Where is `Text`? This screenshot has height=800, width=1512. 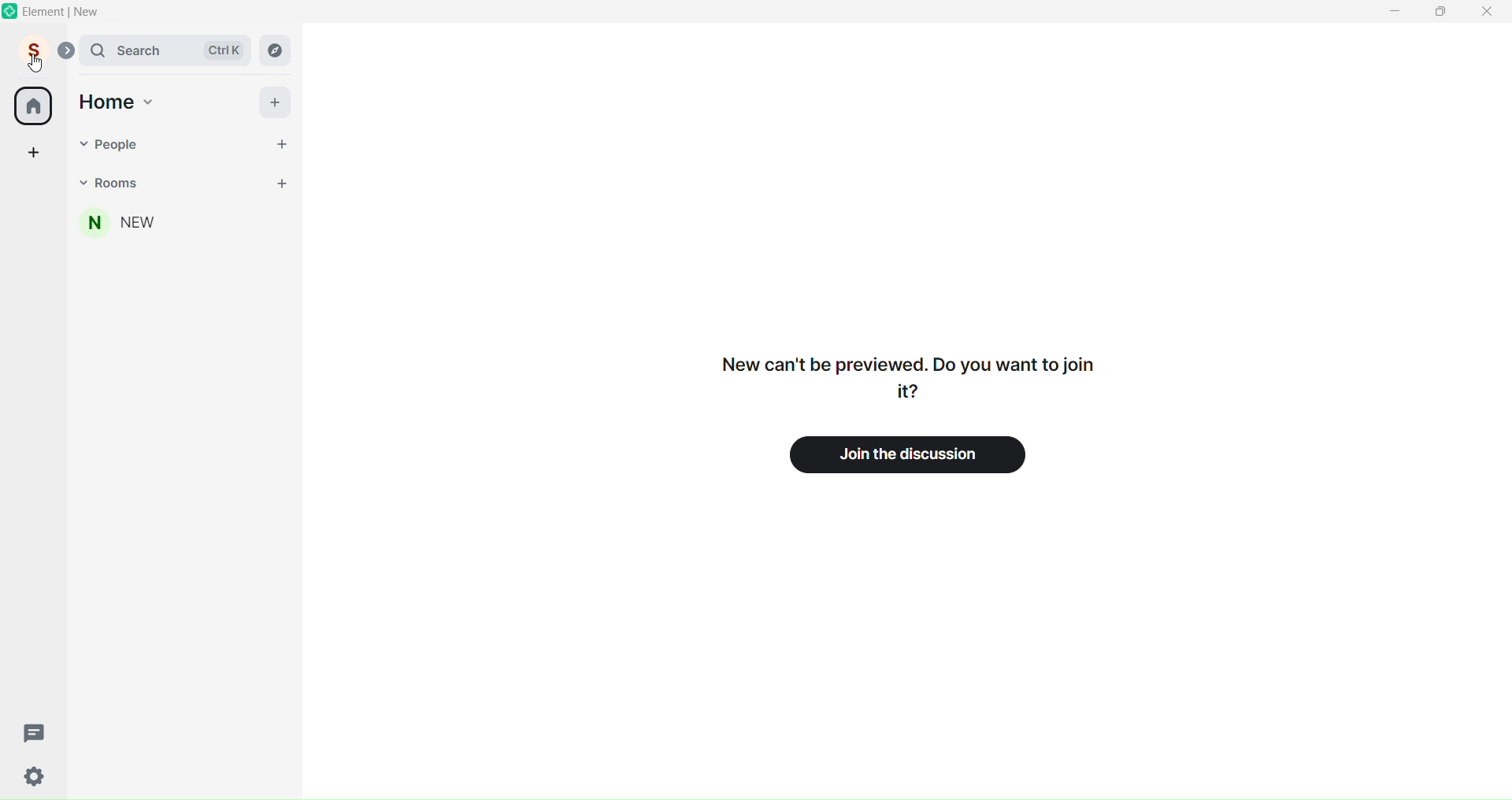 Text is located at coordinates (902, 376).